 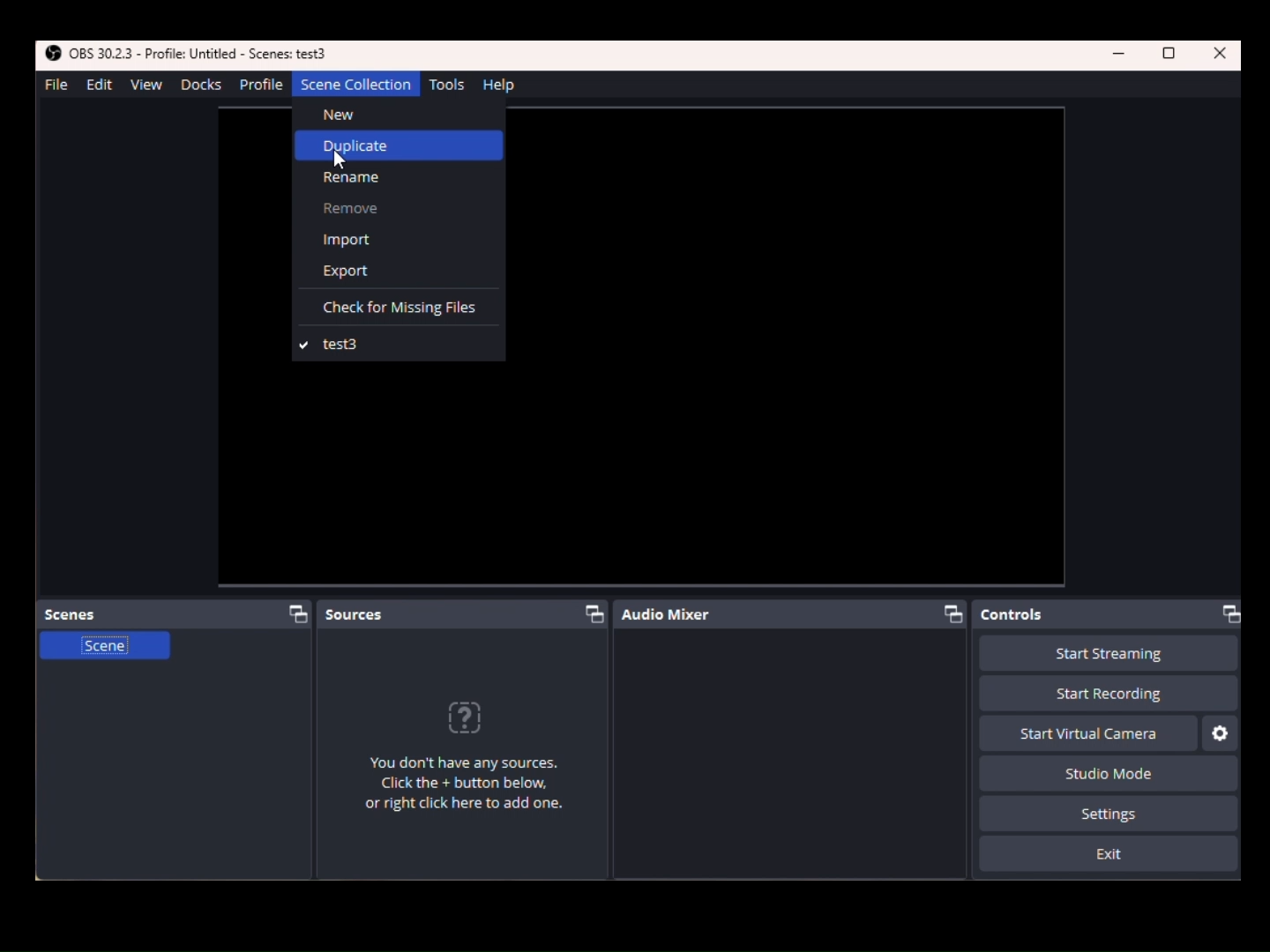 What do you see at coordinates (1088, 733) in the screenshot?
I see `Start Virtual Camera` at bounding box center [1088, 733].